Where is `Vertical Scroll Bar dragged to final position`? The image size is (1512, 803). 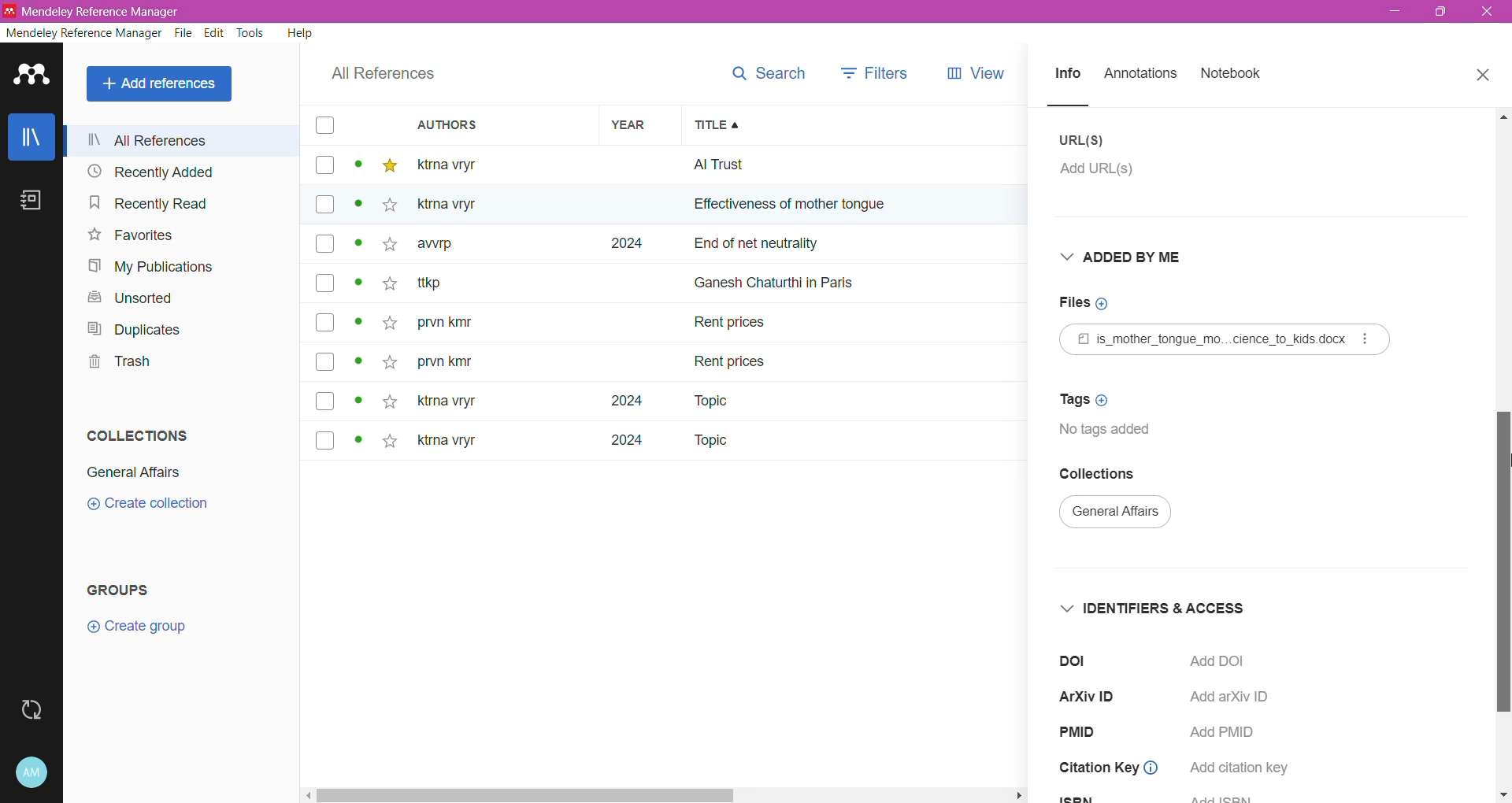 Vertical Scroll Bar dragged to final position is located at coordinates (1503, 456).